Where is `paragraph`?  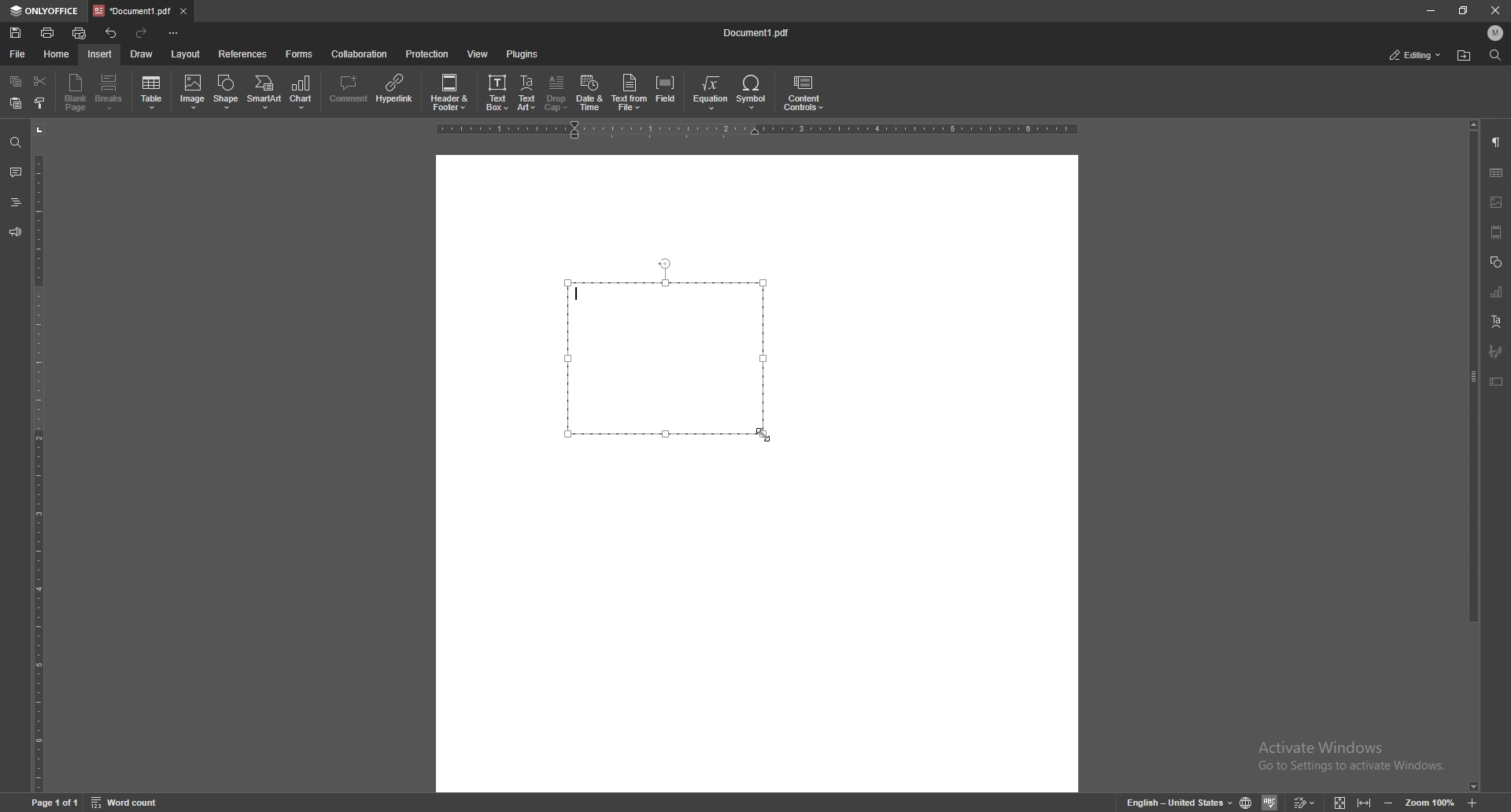 paragraph is located at coordinates (1498, 142).